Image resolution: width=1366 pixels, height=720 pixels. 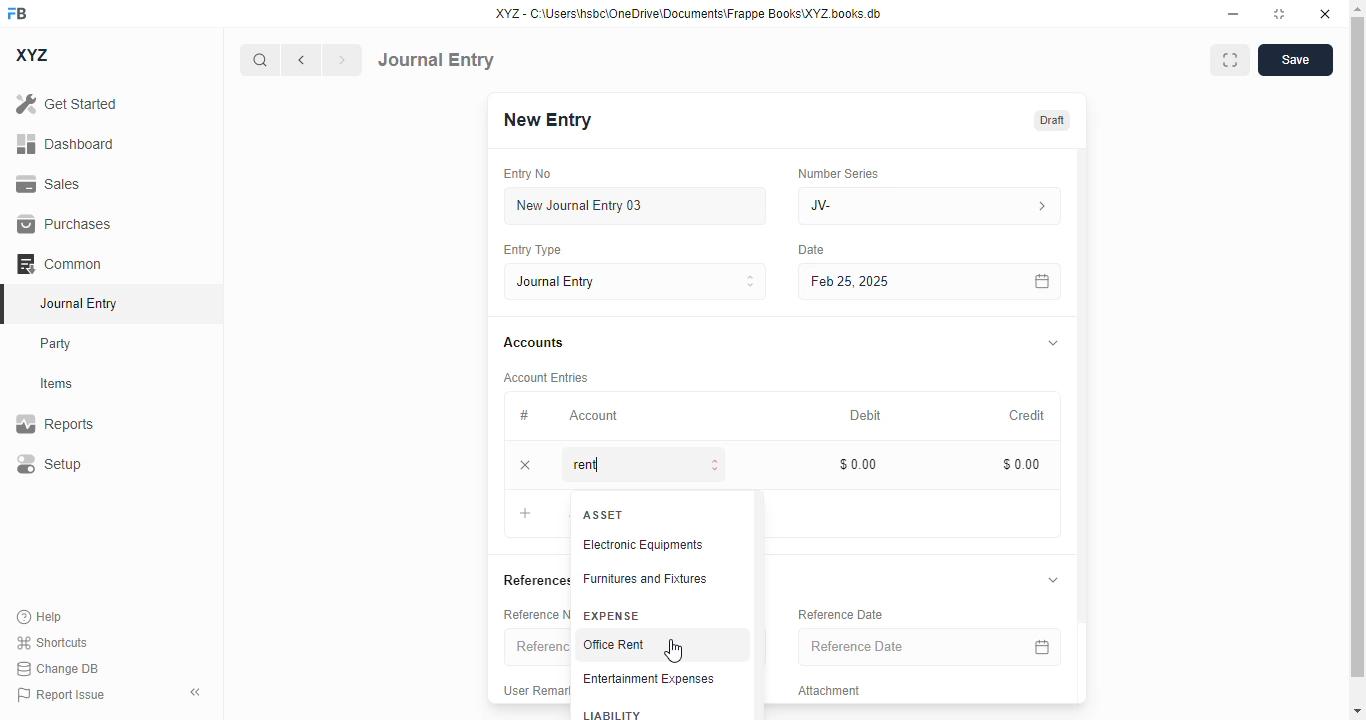 What do you see at coordinates (612, 615) in the screenshot?
I see `expense` at bounding box center [612, 615].